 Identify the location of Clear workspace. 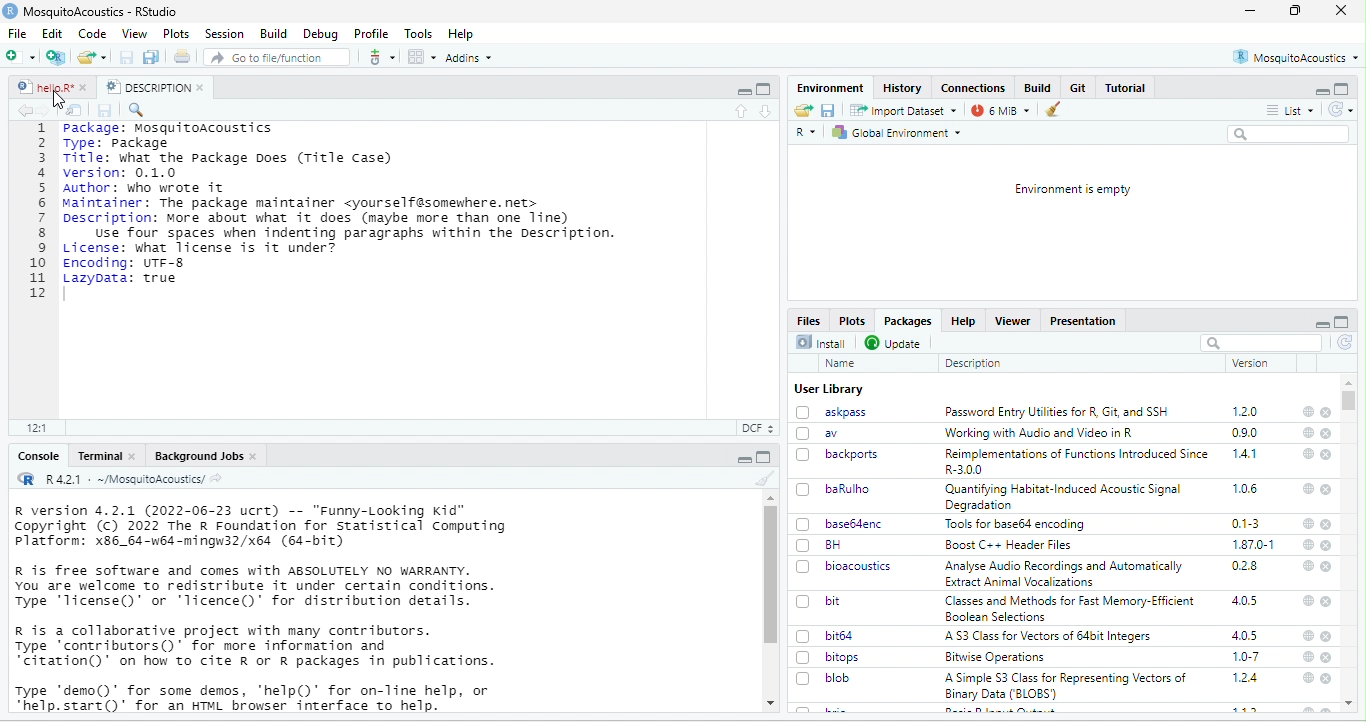
(1057, 109).